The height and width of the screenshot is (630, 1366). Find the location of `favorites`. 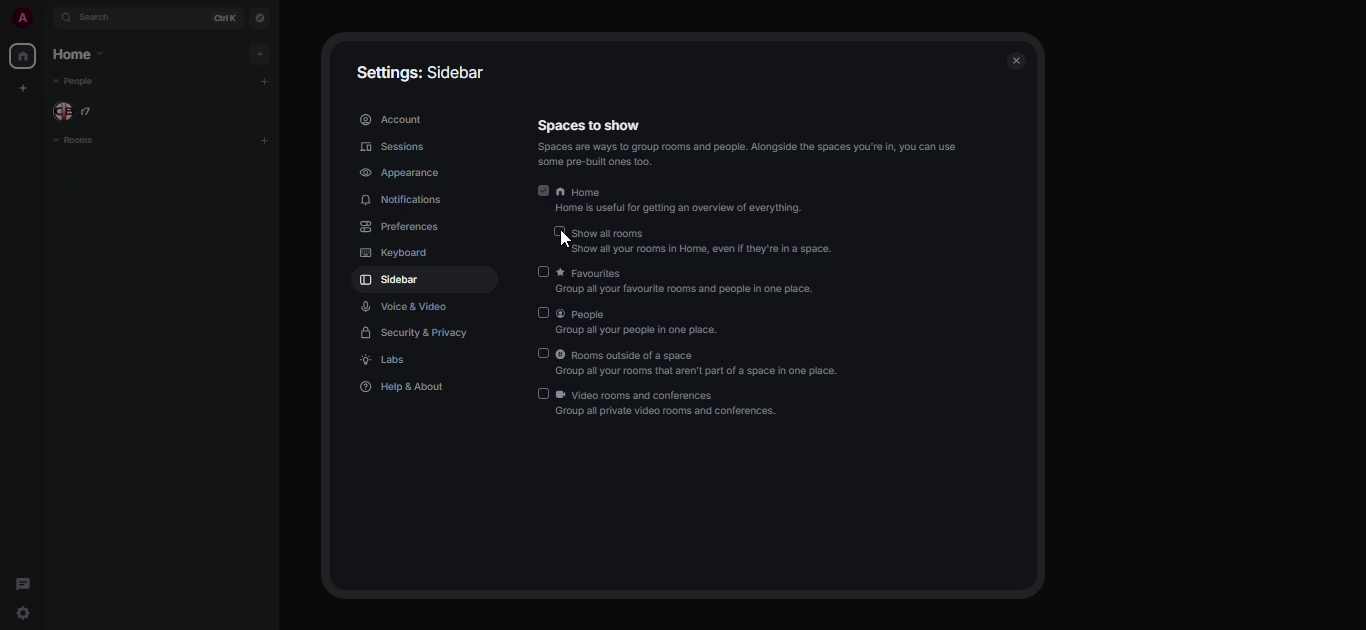

favorites is located at coordinates (694, 279).